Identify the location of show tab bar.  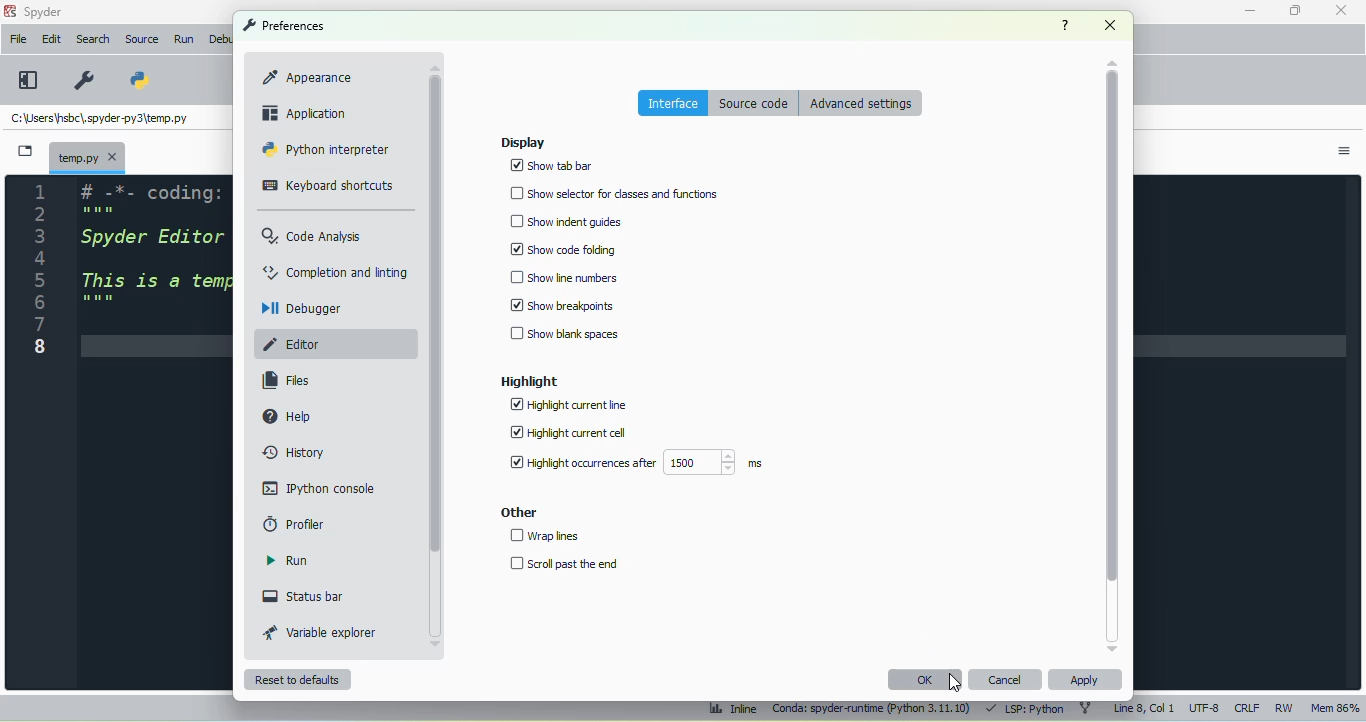
(552, 166).